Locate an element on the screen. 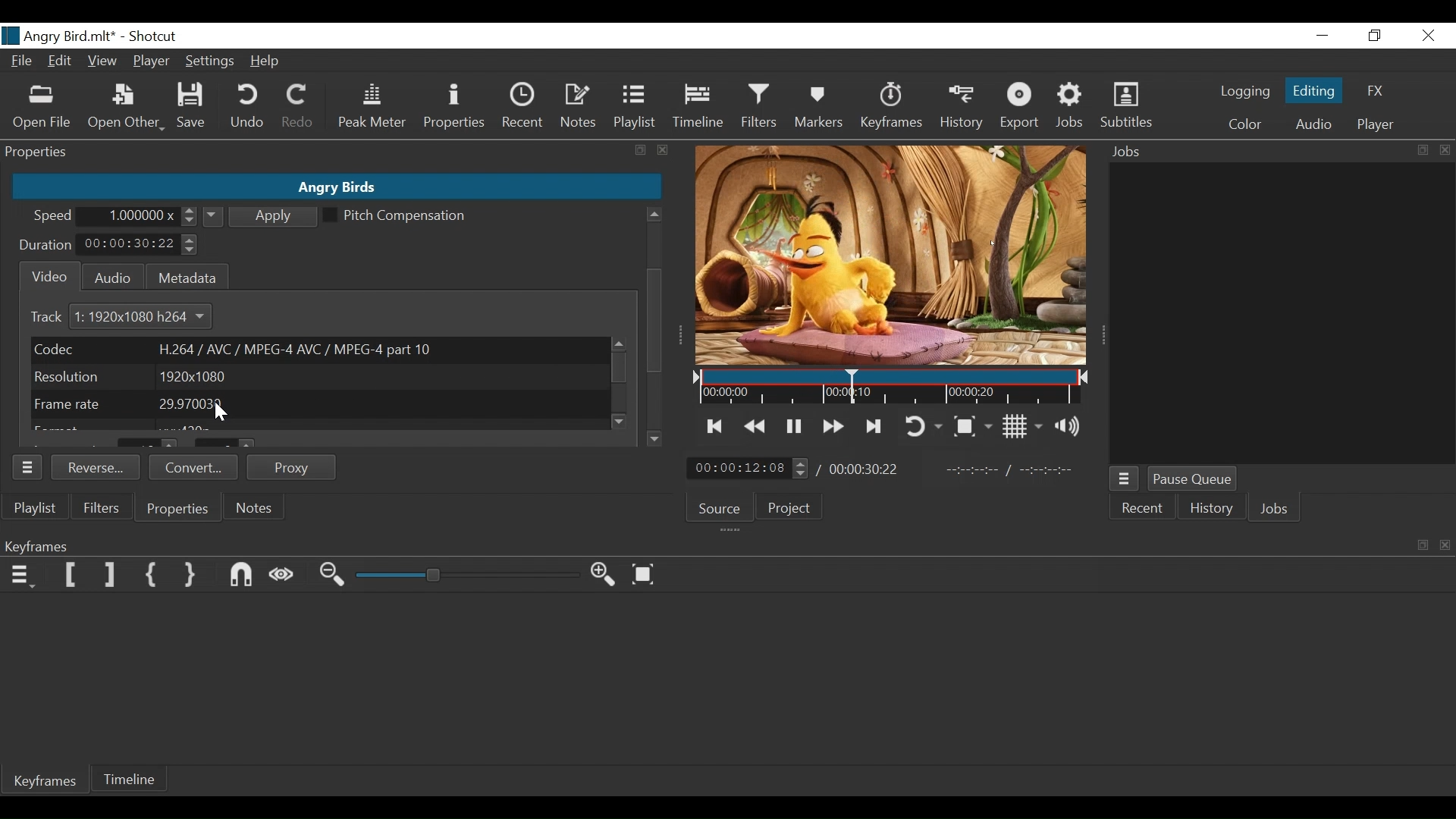 The image size is (1456, 819). Notes is located at coordinates (251, 507).